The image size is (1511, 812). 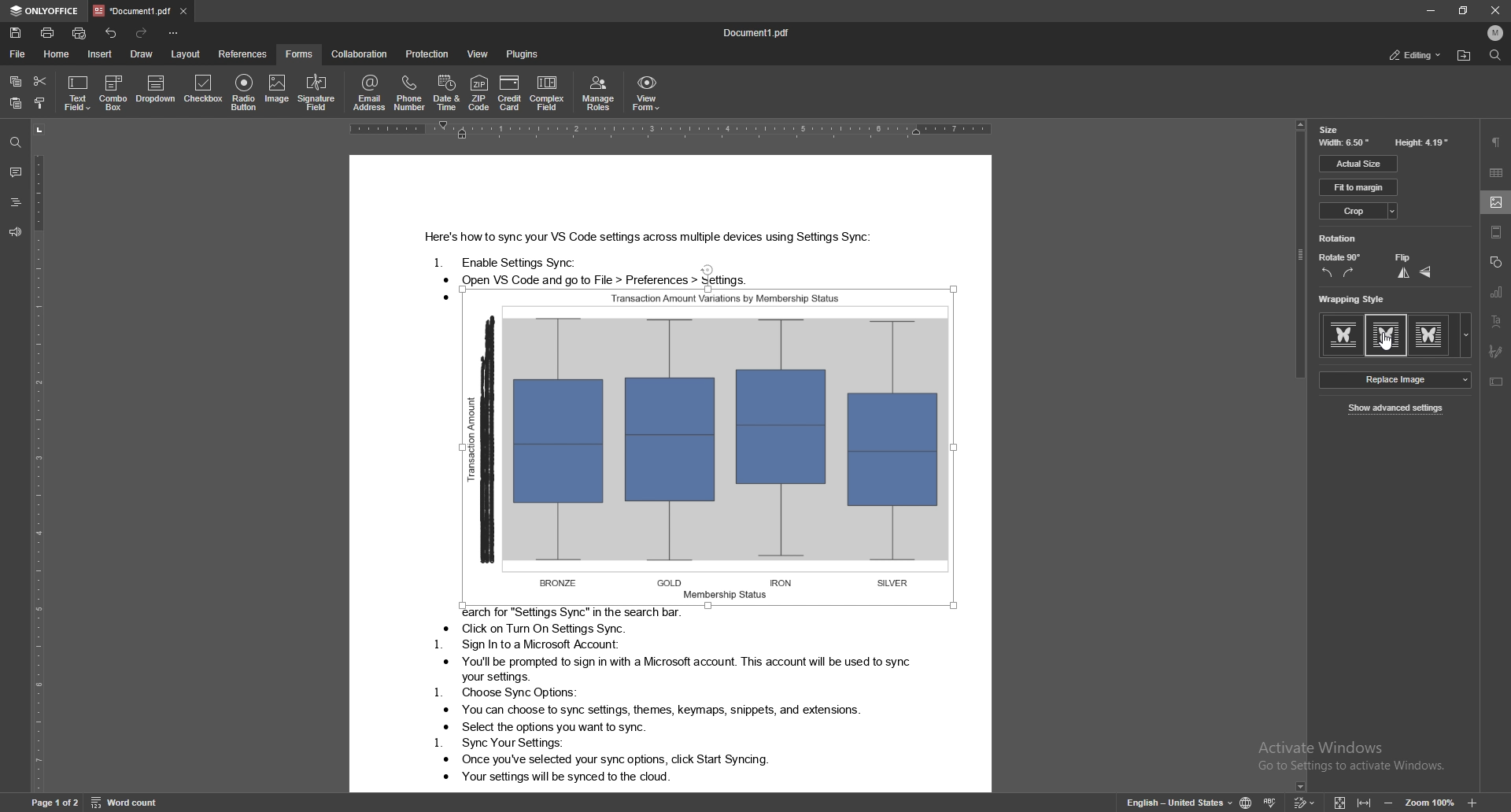 I want to click on resize, so click(x=1463, y=10).